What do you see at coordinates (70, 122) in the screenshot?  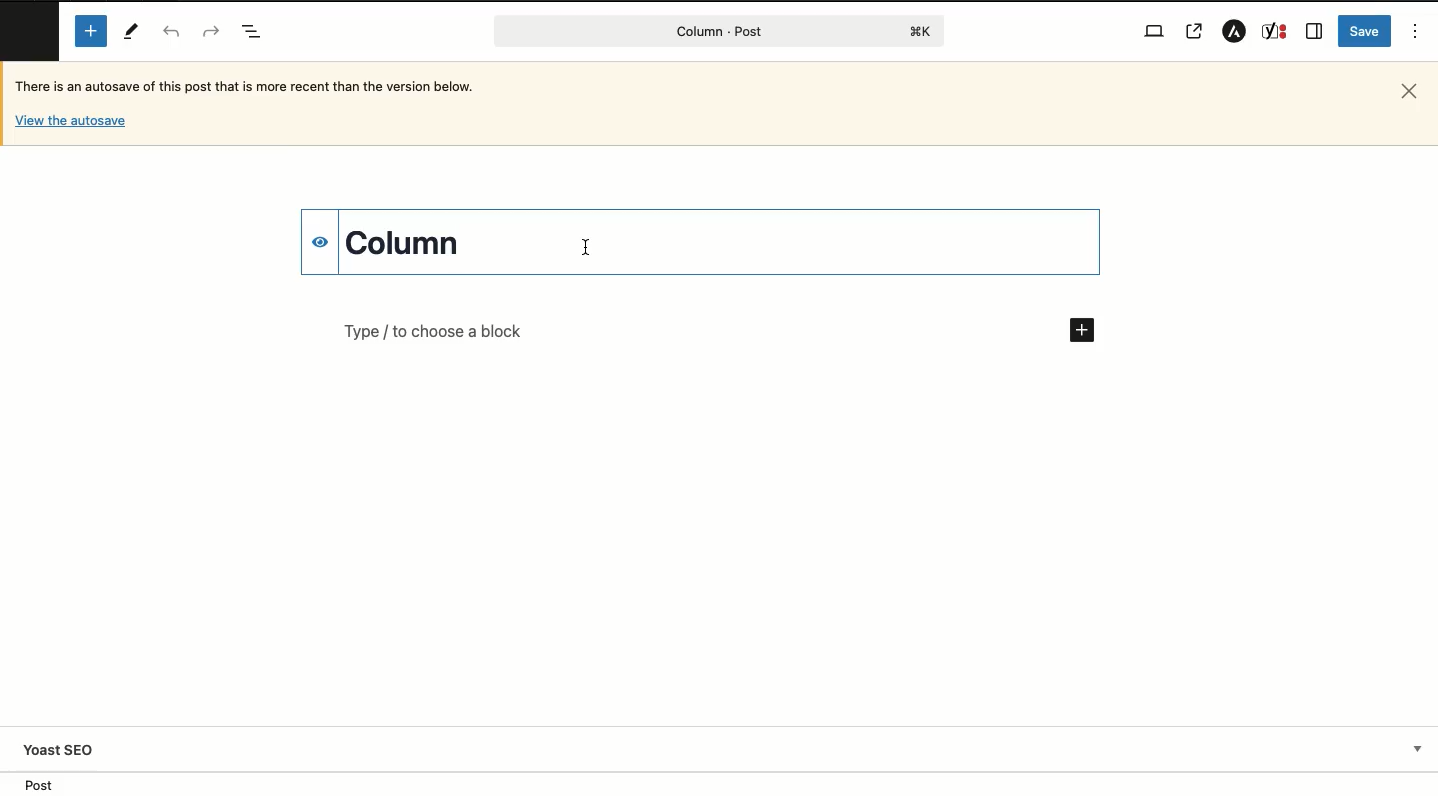 I see `` at bounding box center [70, 122].